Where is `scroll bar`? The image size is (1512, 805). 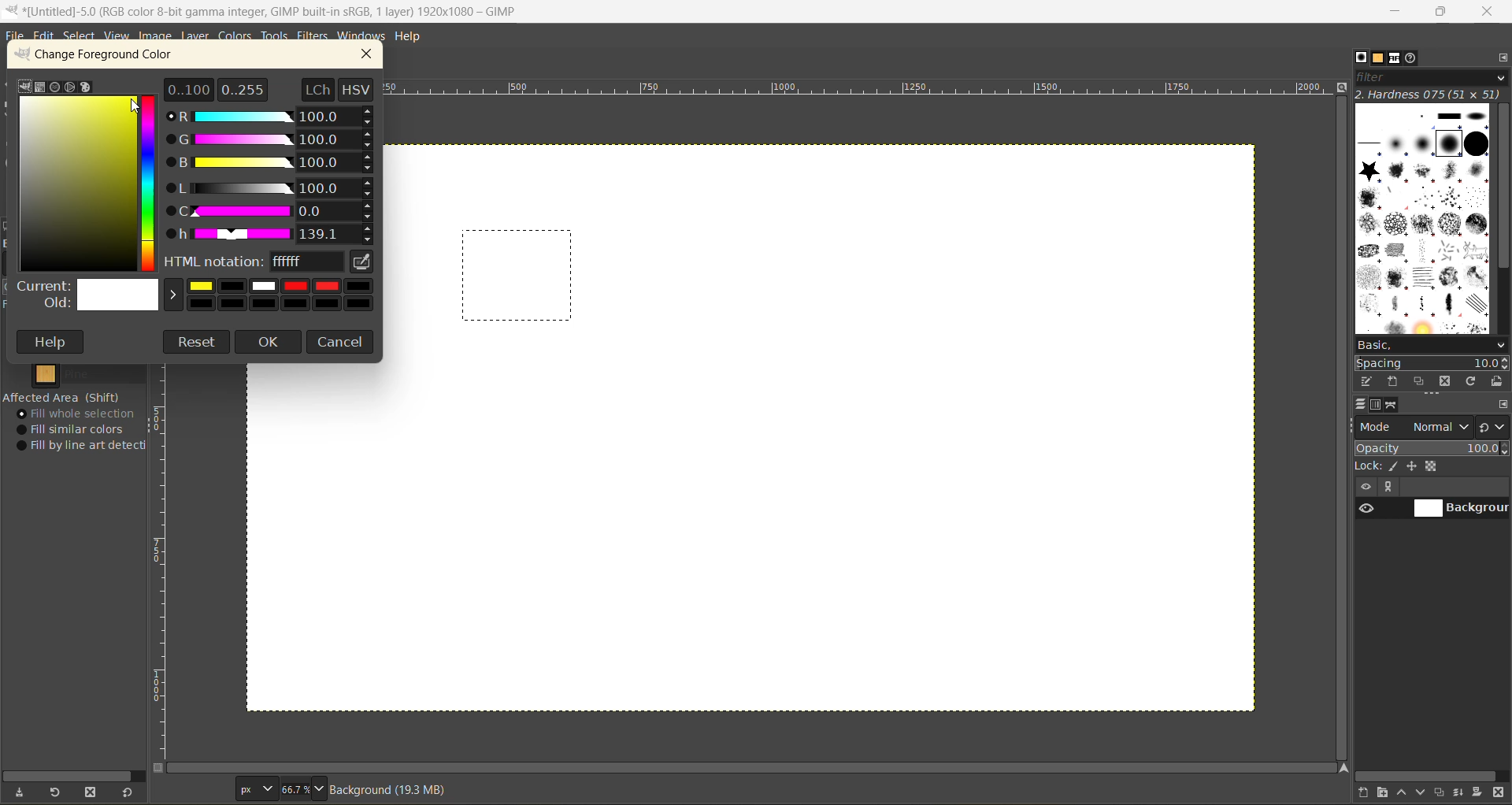
scroll bar is located at coordinates (755, 768).